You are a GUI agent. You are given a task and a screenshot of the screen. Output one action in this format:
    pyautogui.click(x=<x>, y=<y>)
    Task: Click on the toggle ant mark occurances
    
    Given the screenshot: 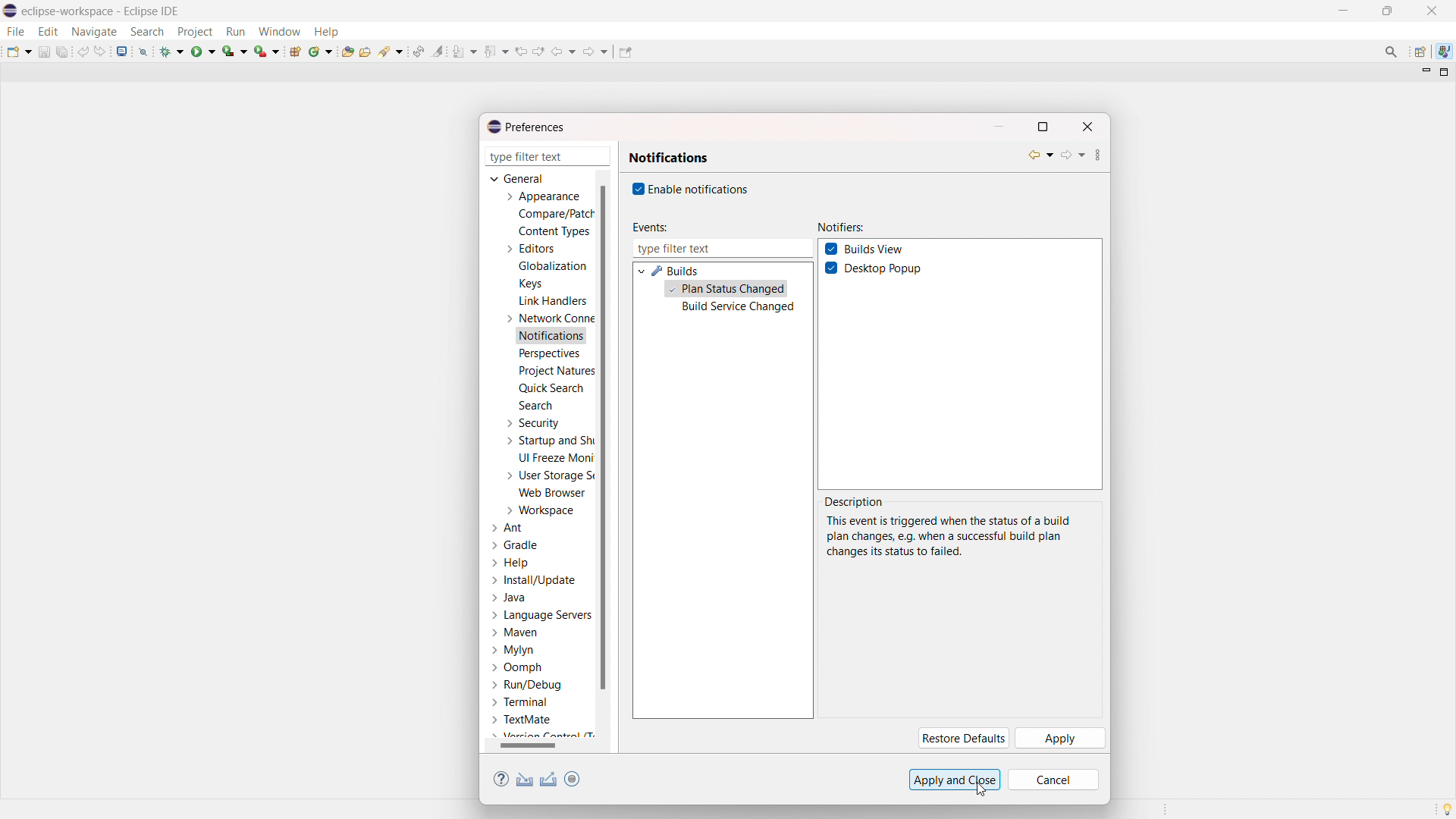 What is the action you would take?
    pyautogui.click(x=438, y=51)
    